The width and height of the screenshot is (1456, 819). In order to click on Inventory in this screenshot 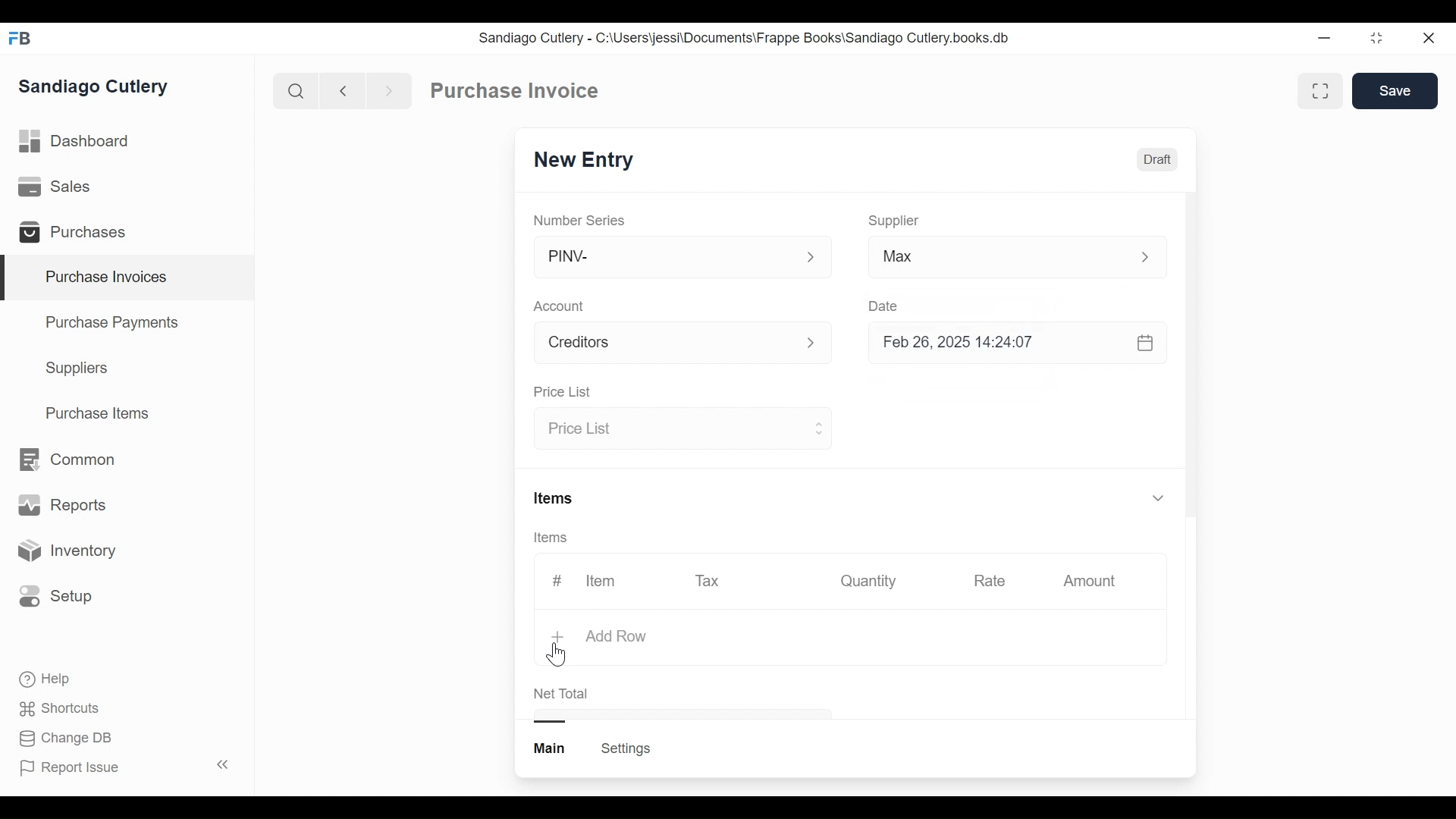, I will do `click(65, 551)`.